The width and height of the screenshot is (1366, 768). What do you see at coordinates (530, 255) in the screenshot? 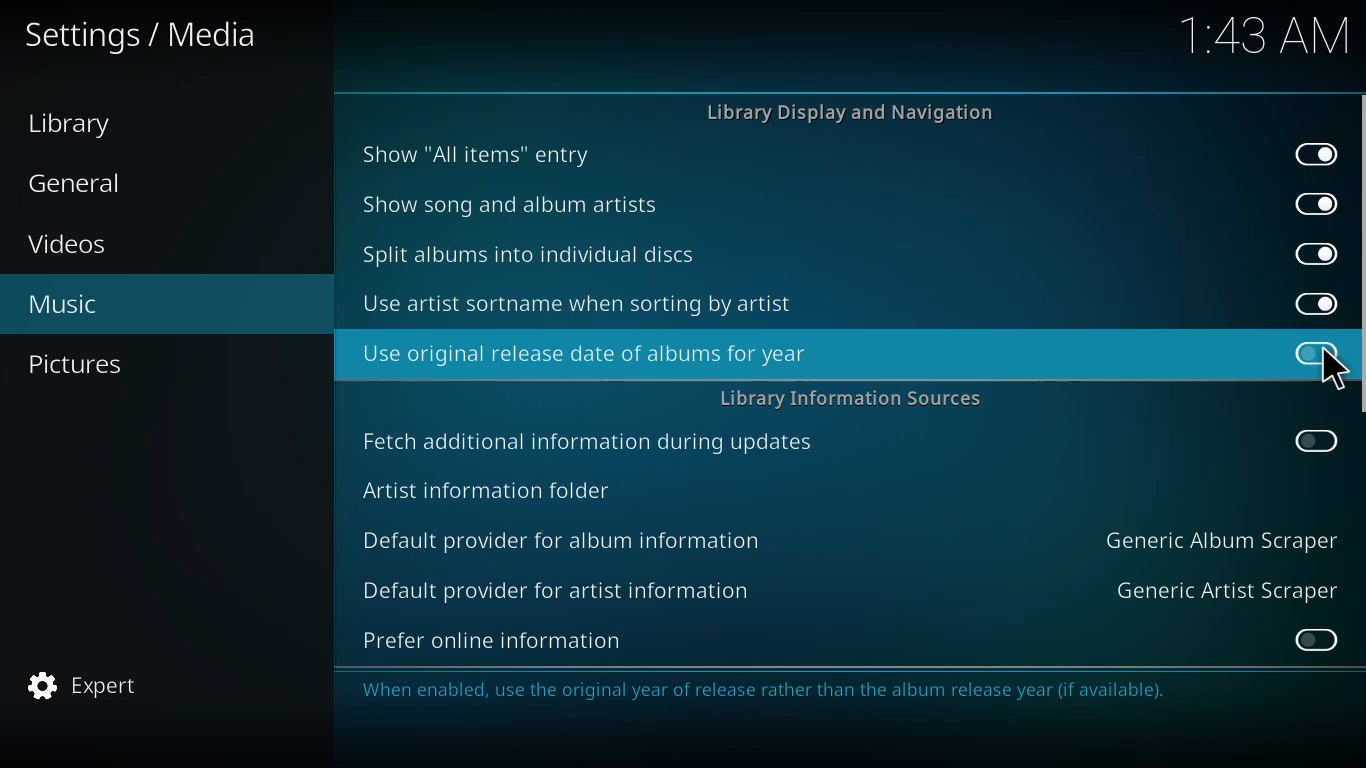
I see `split albums` at bounding box center [530, 255].